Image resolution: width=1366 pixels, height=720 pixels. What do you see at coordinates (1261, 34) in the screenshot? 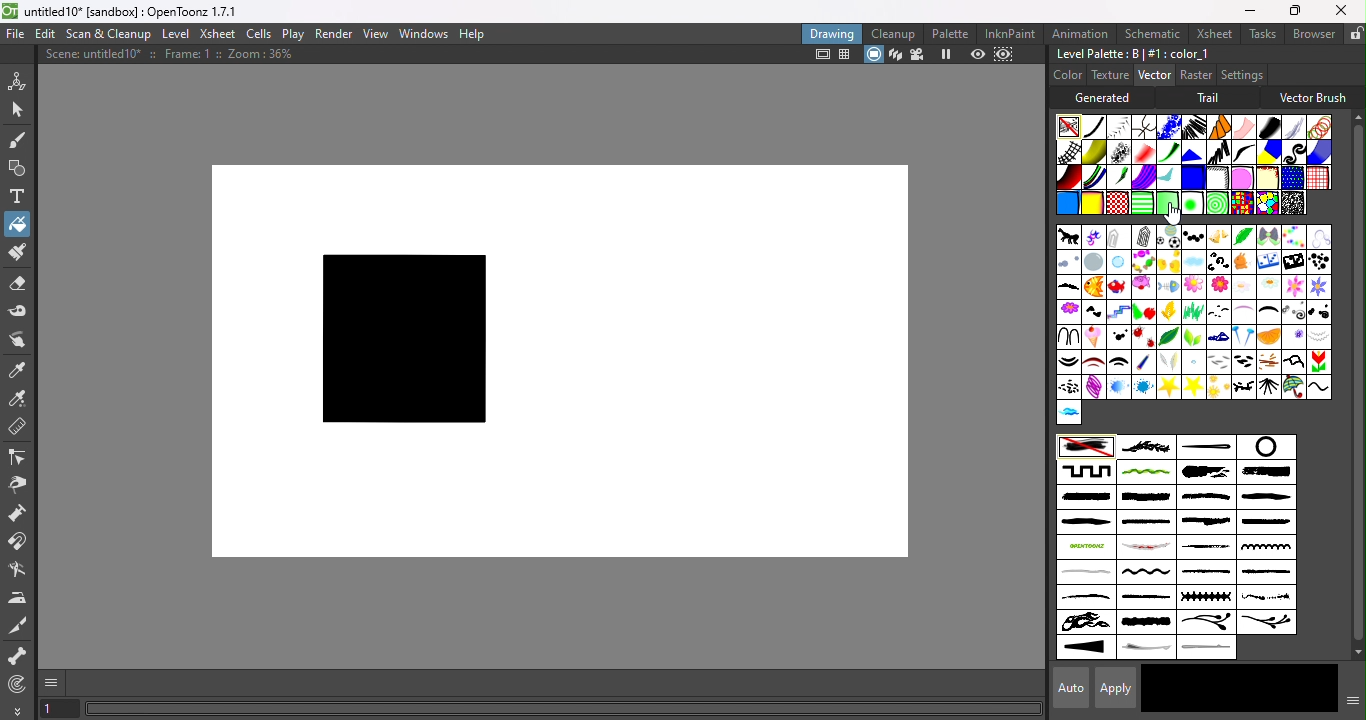
I see `Tasks` at bounding box center [1261, 34].